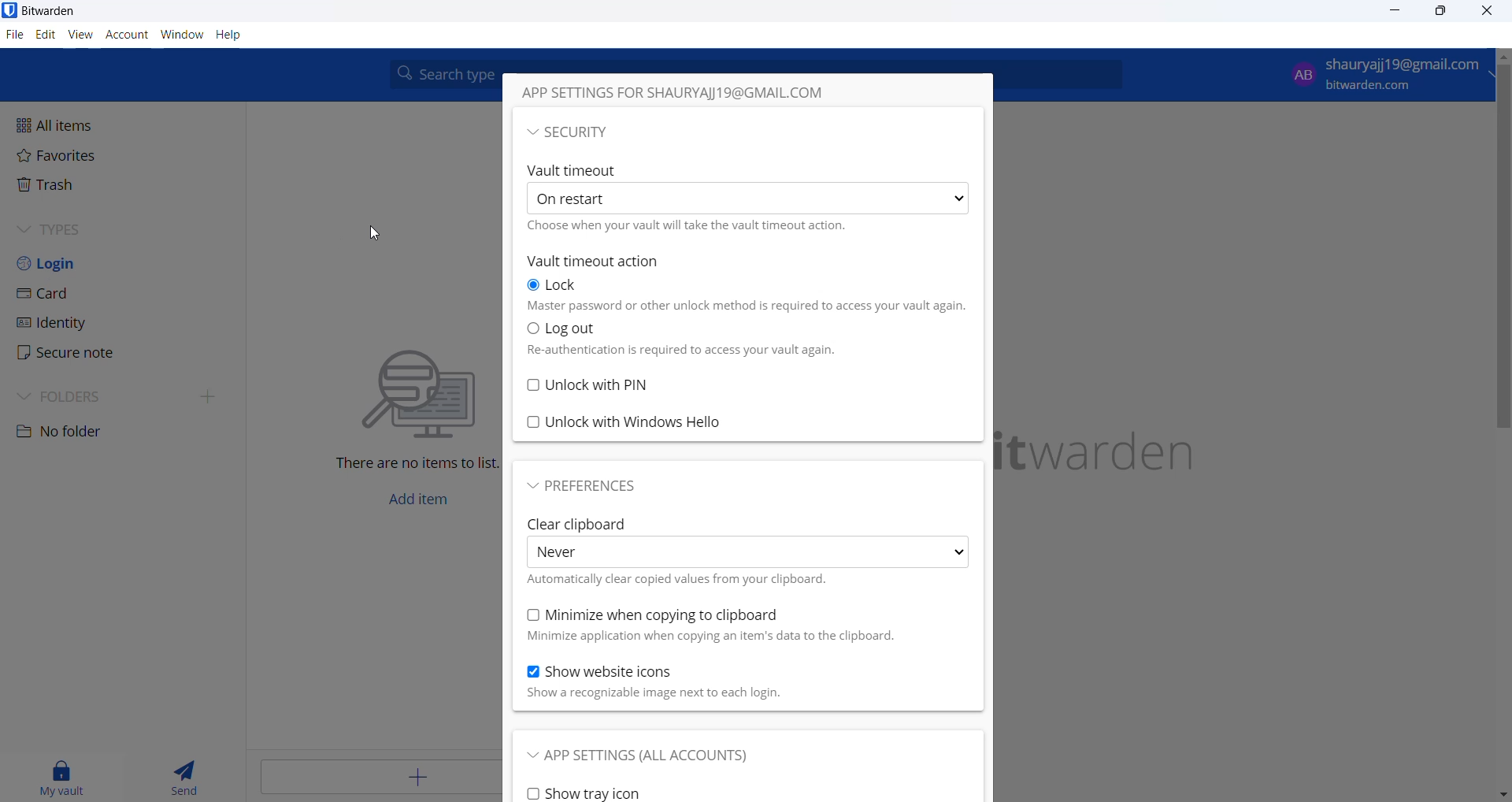  What do you see at coordinates (16, 36) in the screenshot?
I see `file` at bounding box center [16, 36].